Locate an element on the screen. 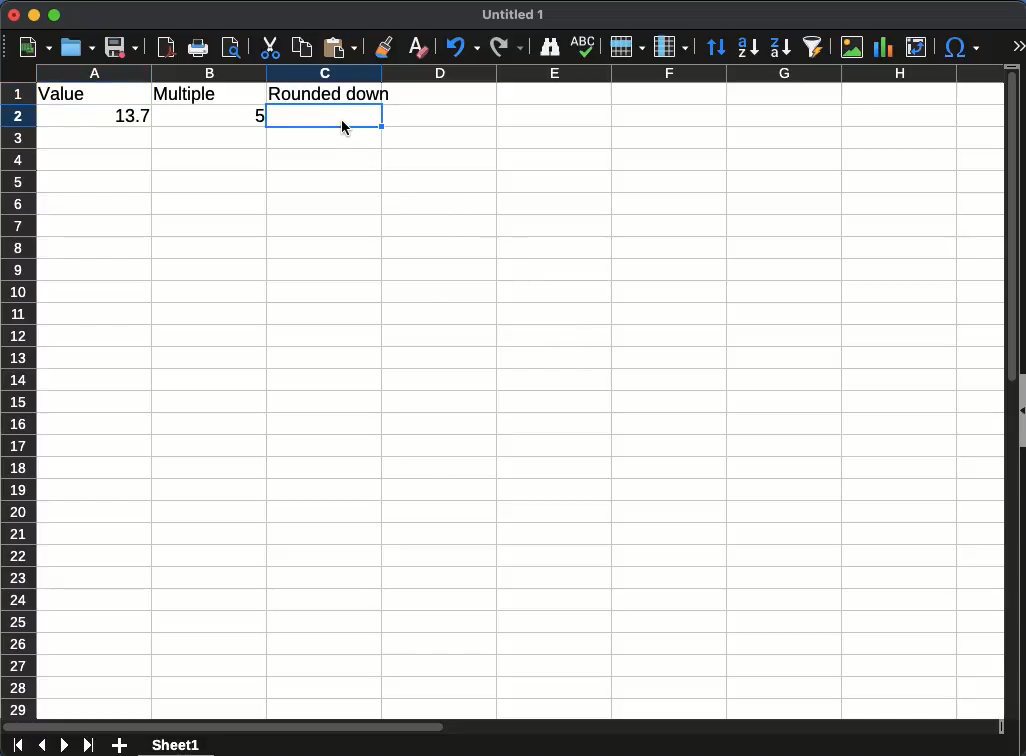  expand is located at coordinates (1018, 46).